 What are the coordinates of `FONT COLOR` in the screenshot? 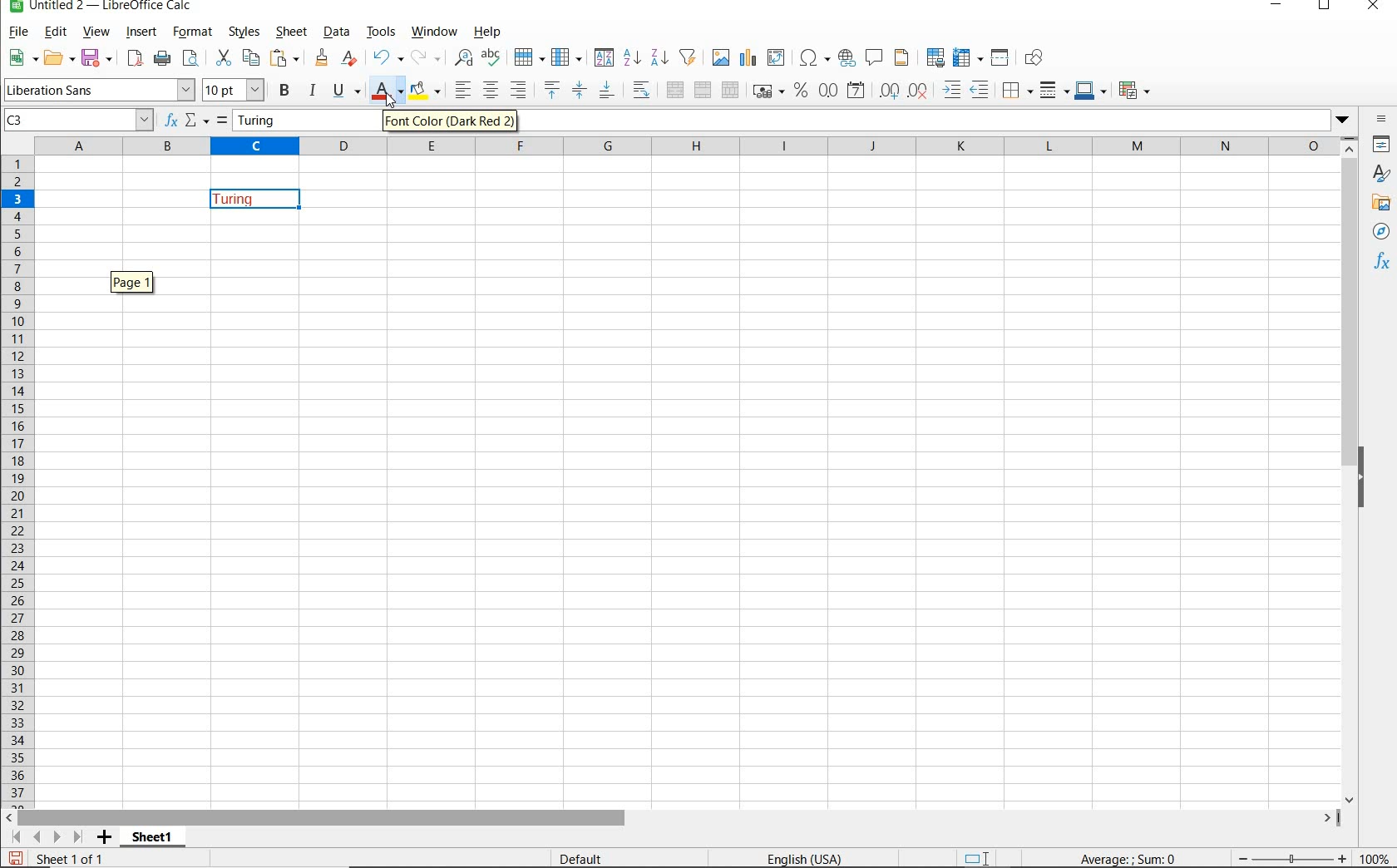 It's located at (388, 93).